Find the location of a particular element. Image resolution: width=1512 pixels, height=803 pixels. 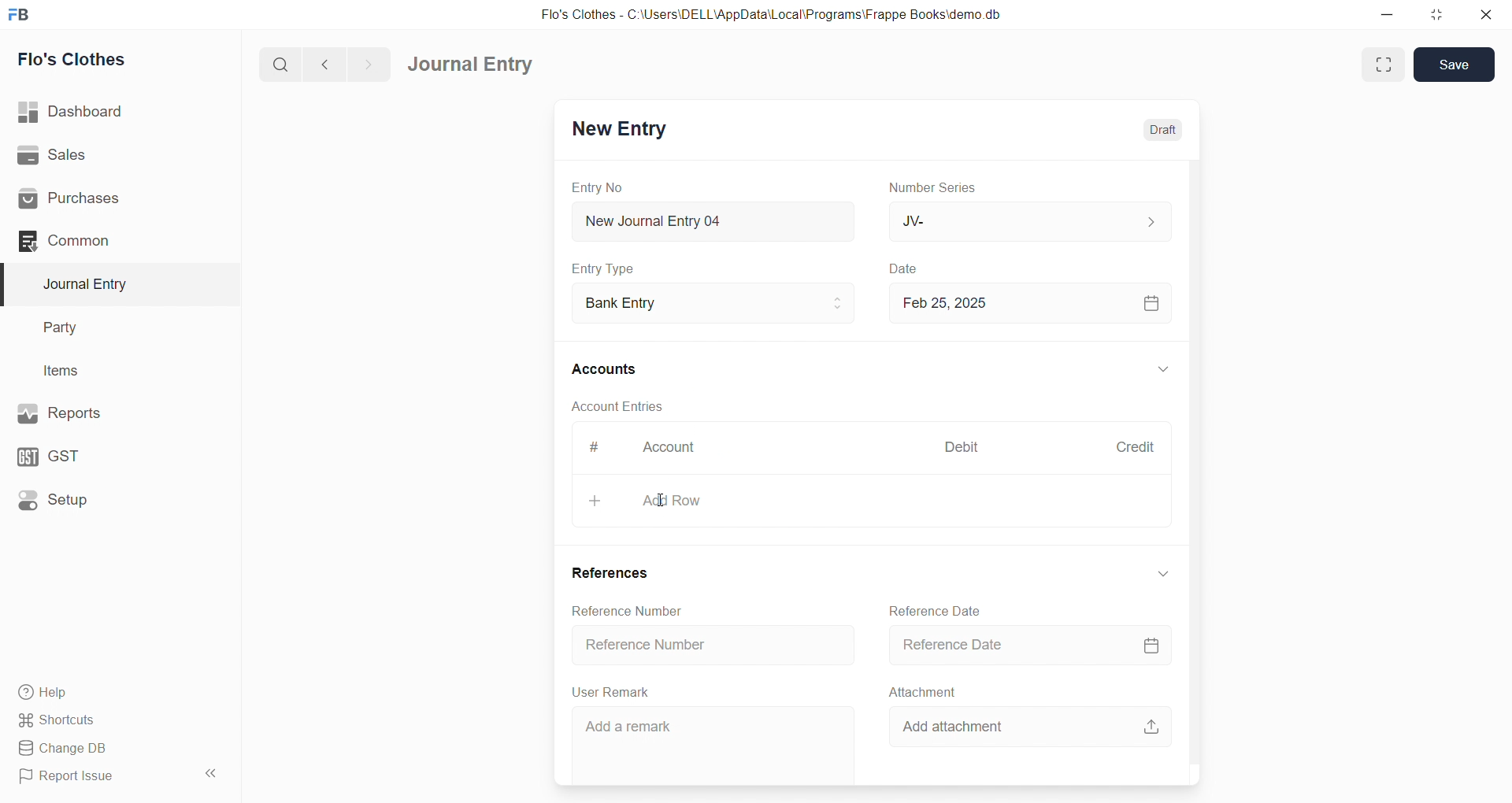

Flo's Clothes is located at coordinates (113, 60).